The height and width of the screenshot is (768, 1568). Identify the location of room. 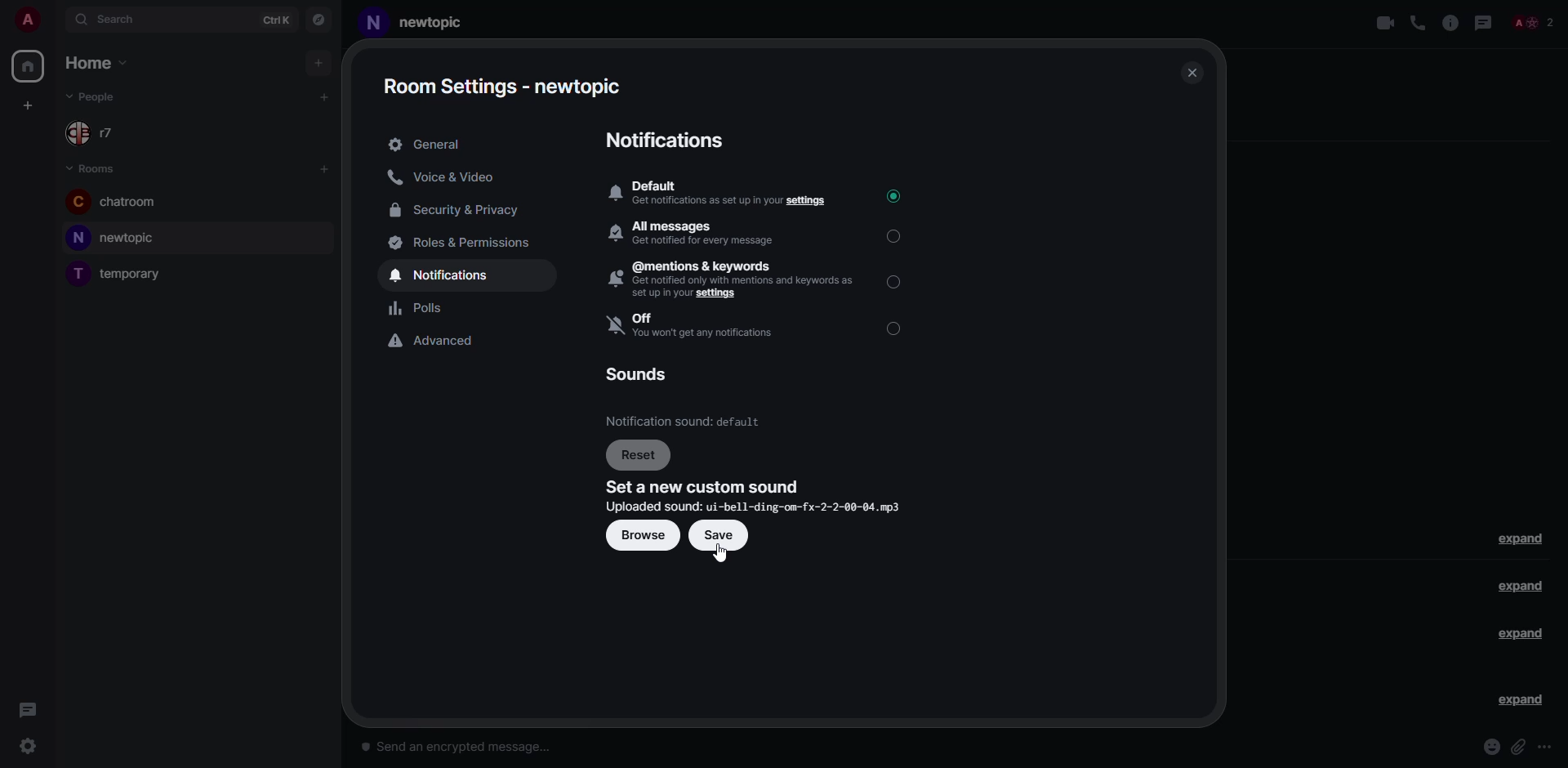
(116, 236).